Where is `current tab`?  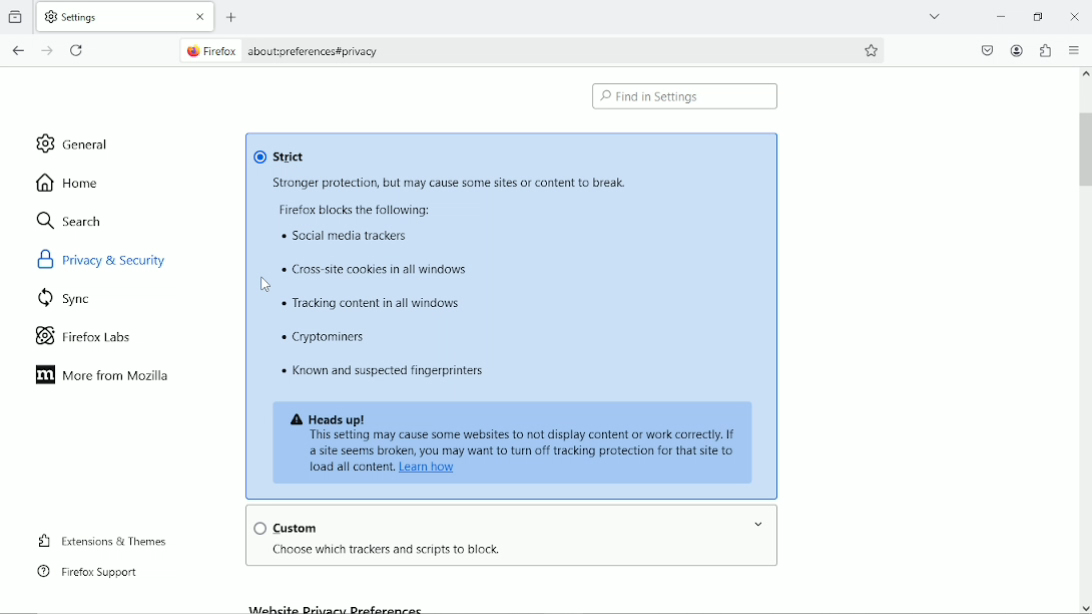 current tab is located at coordinates (113, 17).